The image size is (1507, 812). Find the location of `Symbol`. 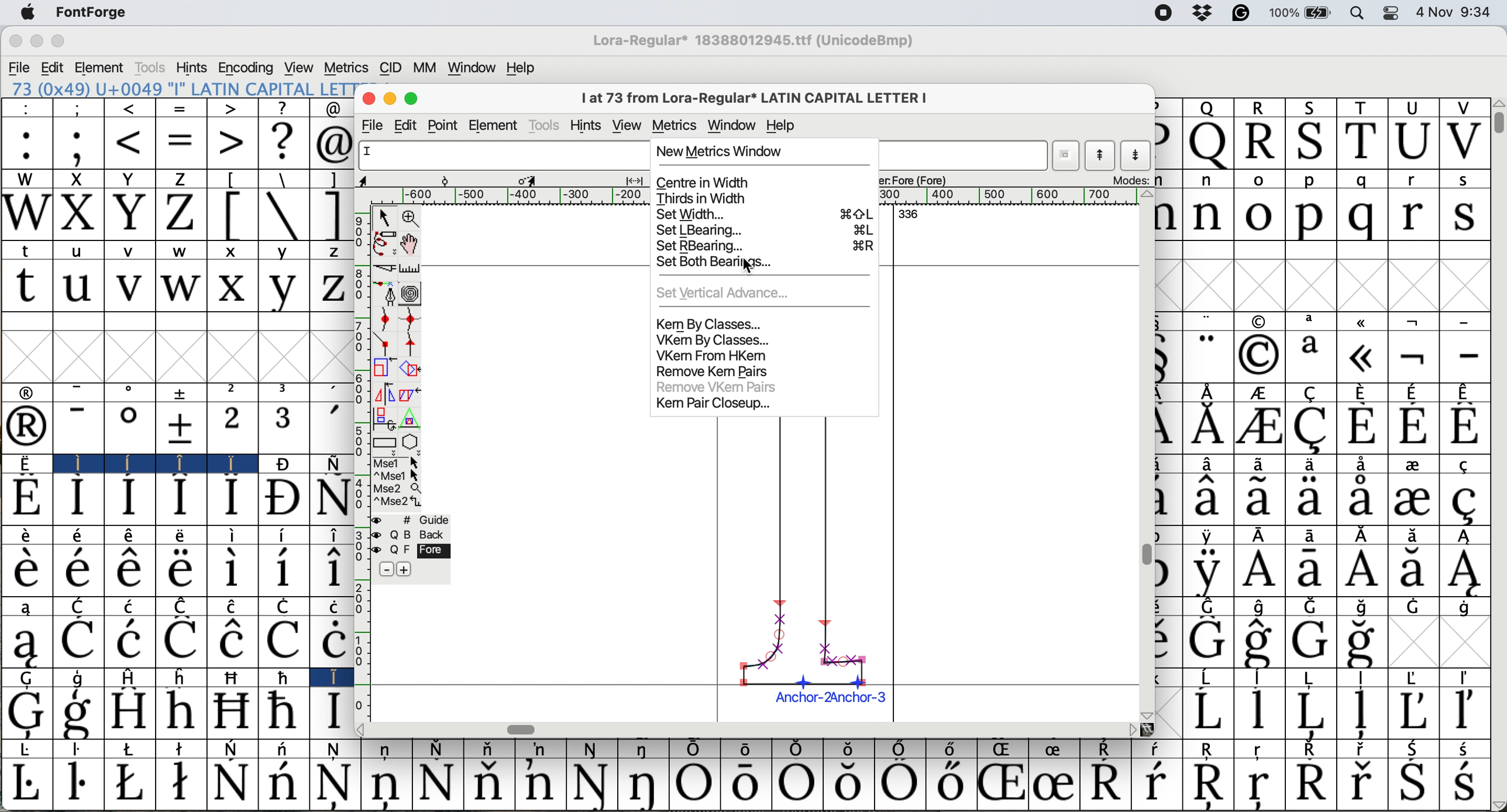

Symbol is located at coordinates (1466, 570).